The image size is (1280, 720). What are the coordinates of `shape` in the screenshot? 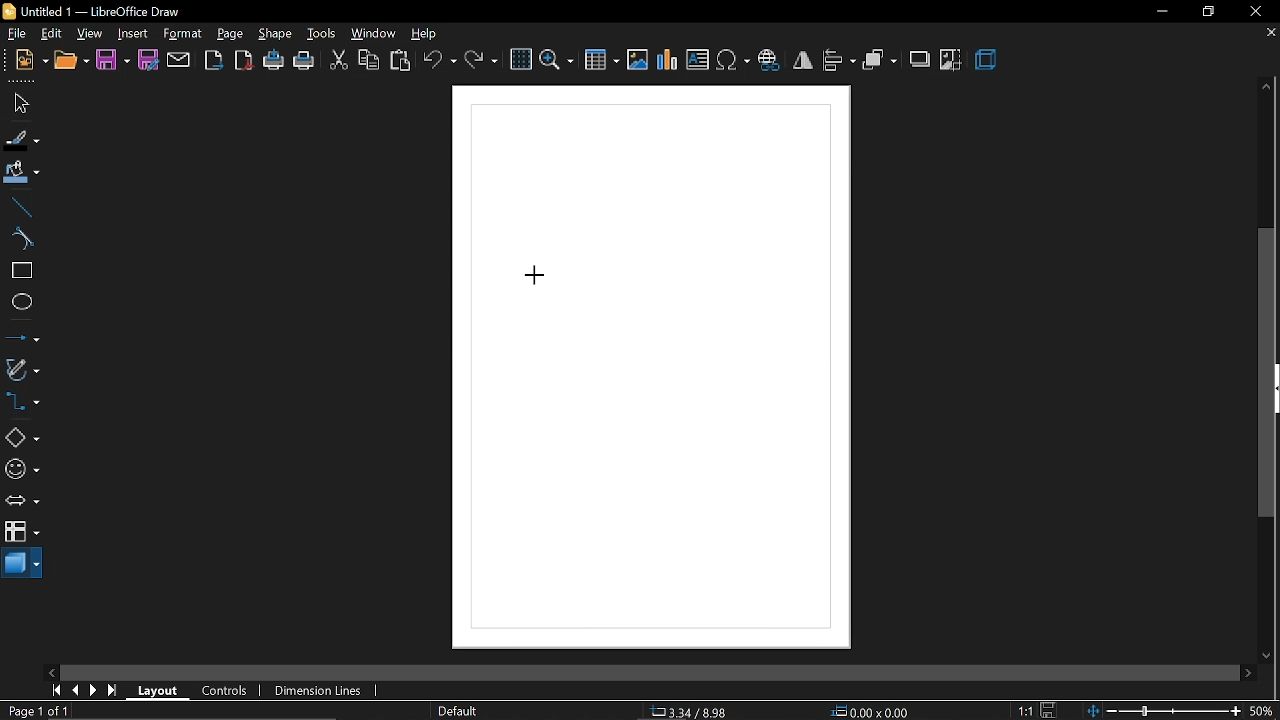 It's located at (276, 34).